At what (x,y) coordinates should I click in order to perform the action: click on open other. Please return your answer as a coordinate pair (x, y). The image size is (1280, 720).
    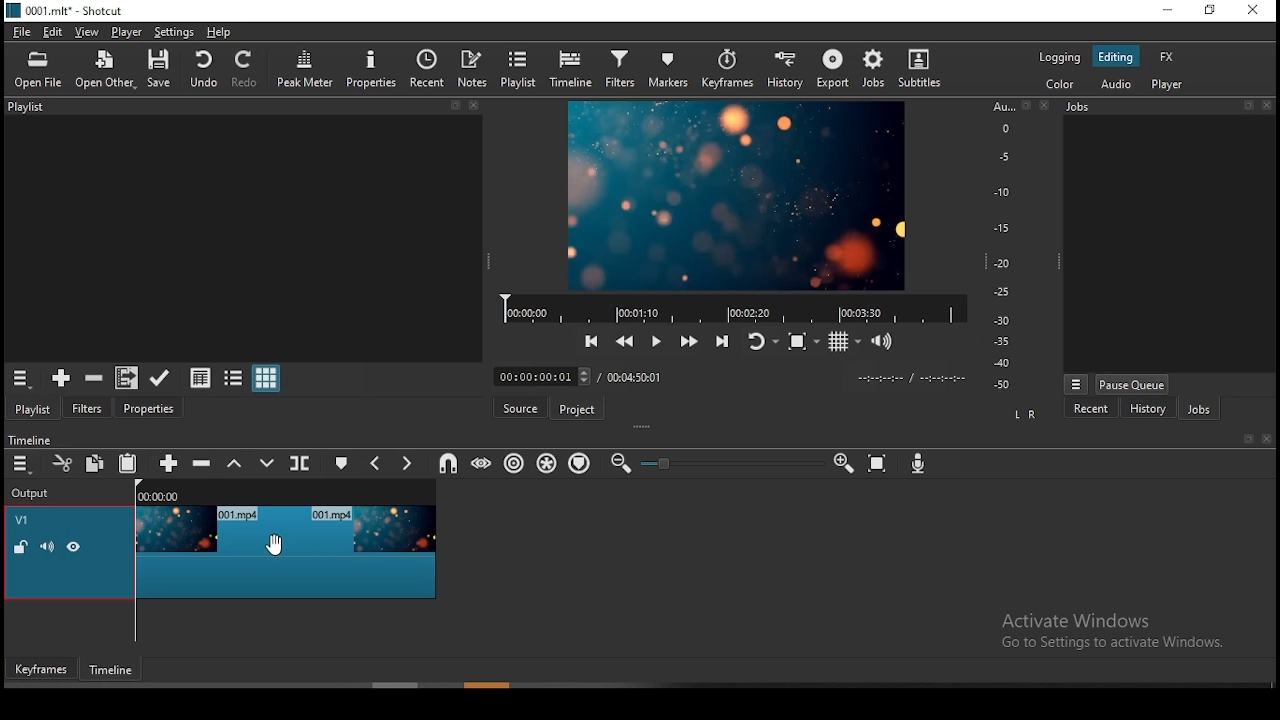
    Looking at the image, I should click on (107, 71).